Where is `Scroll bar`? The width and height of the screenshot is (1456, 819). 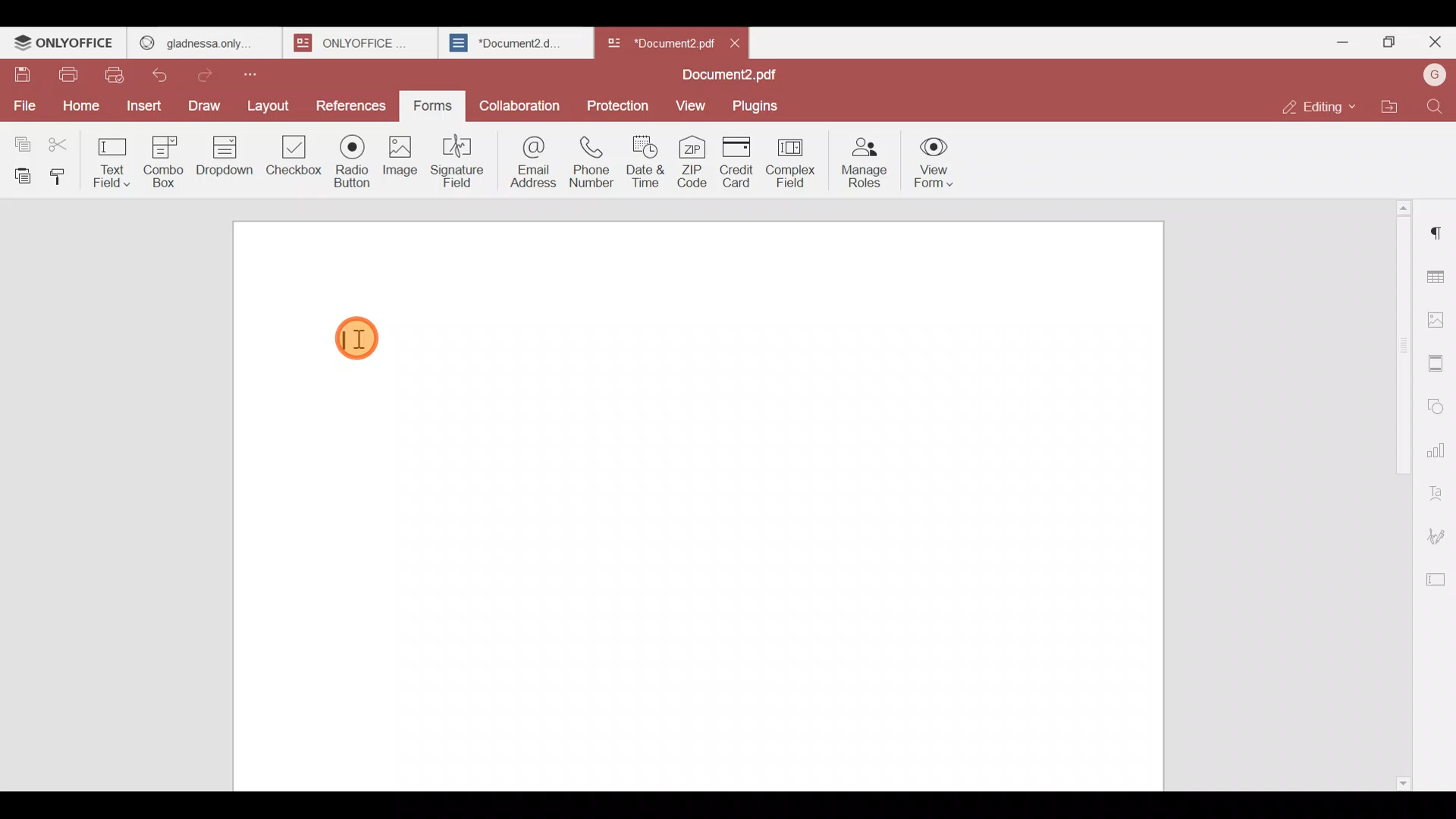
Scroll bar is located at coordinates (1397, 490).